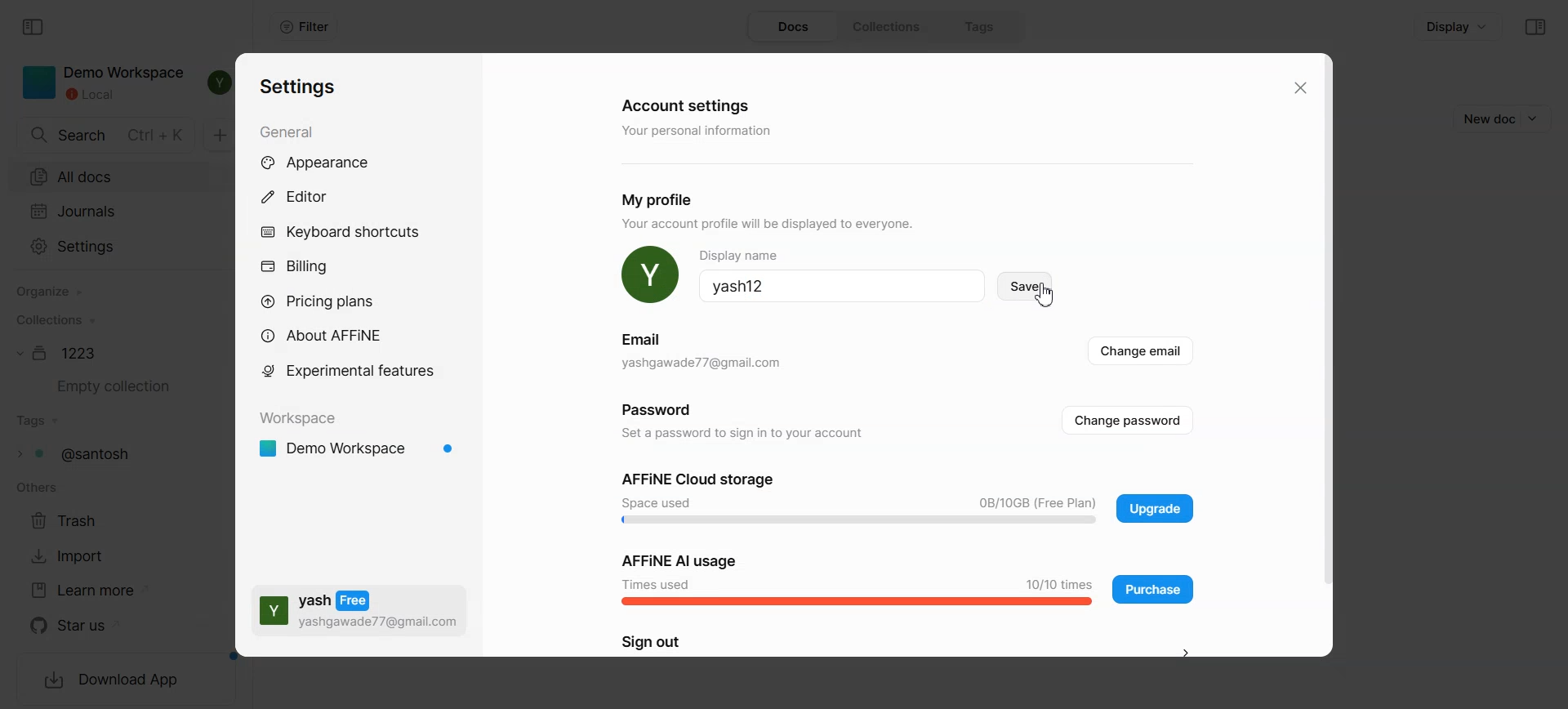 Image resolution: width=1568 pixels, height=709 pixels. What do you see at coordinates (1458, 25) in the screenshot?
I see `Display` at bounding box center [1458, 25].